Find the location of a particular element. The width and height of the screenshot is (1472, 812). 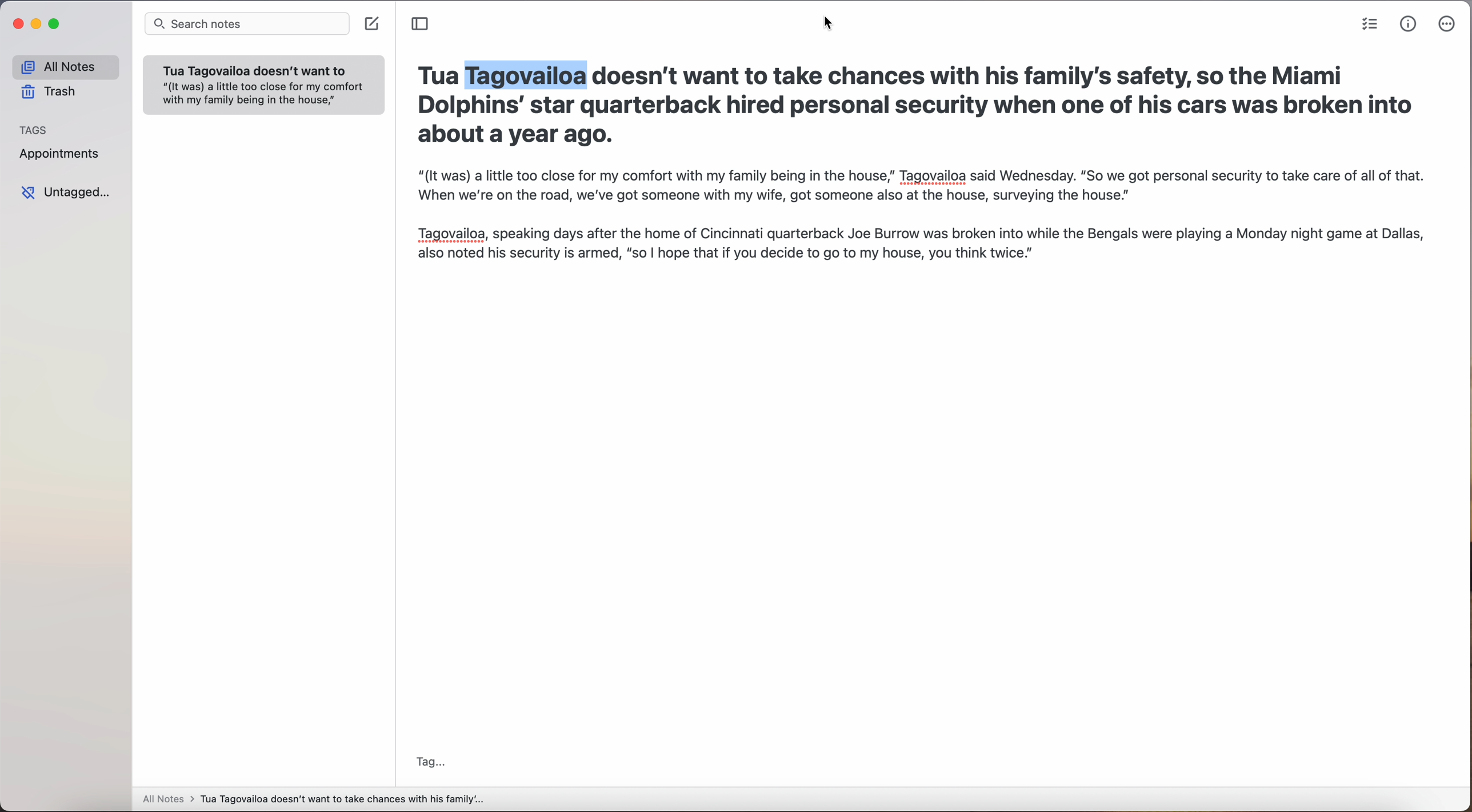

“(It was) a little too close for my comfort with my family being in the house,” Tagovailoa said Wednesday. “So we got personal security to take care of all of that.
When we're on the road, we've got someone with my wife, got someone also at the house, surveying the house.”

Tagovailoa, speaking days after the home of Cincinnati quarterback Joe Burrow was broken into while the Bengals were playing a Monday night game at Dallas,
also noted his security is armed, “so | hope that if you decide to go to my house, you think twice." is located at coordinates (924, 223).